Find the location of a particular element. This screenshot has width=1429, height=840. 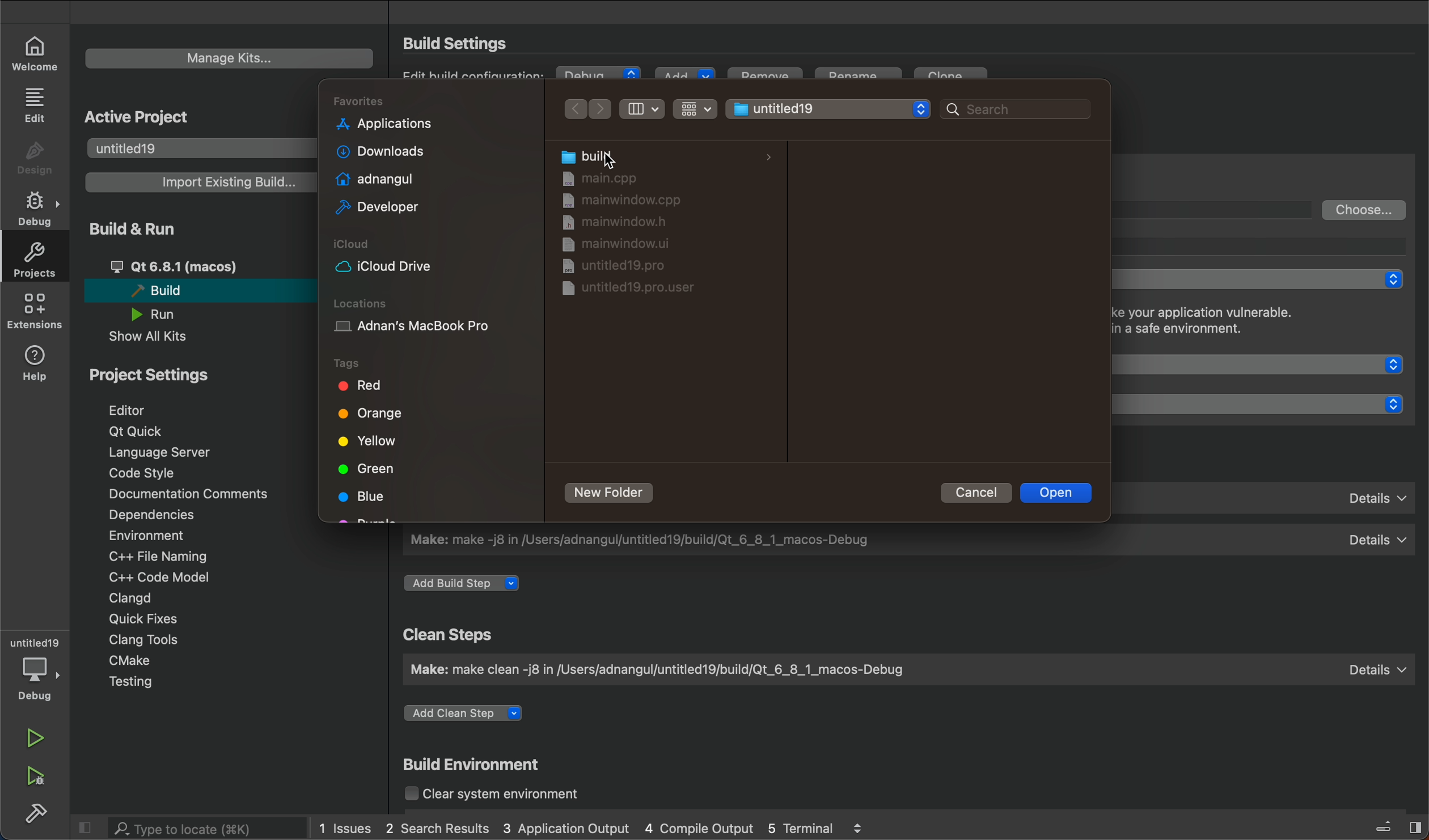

run debug is located at coordinates (37, 774).